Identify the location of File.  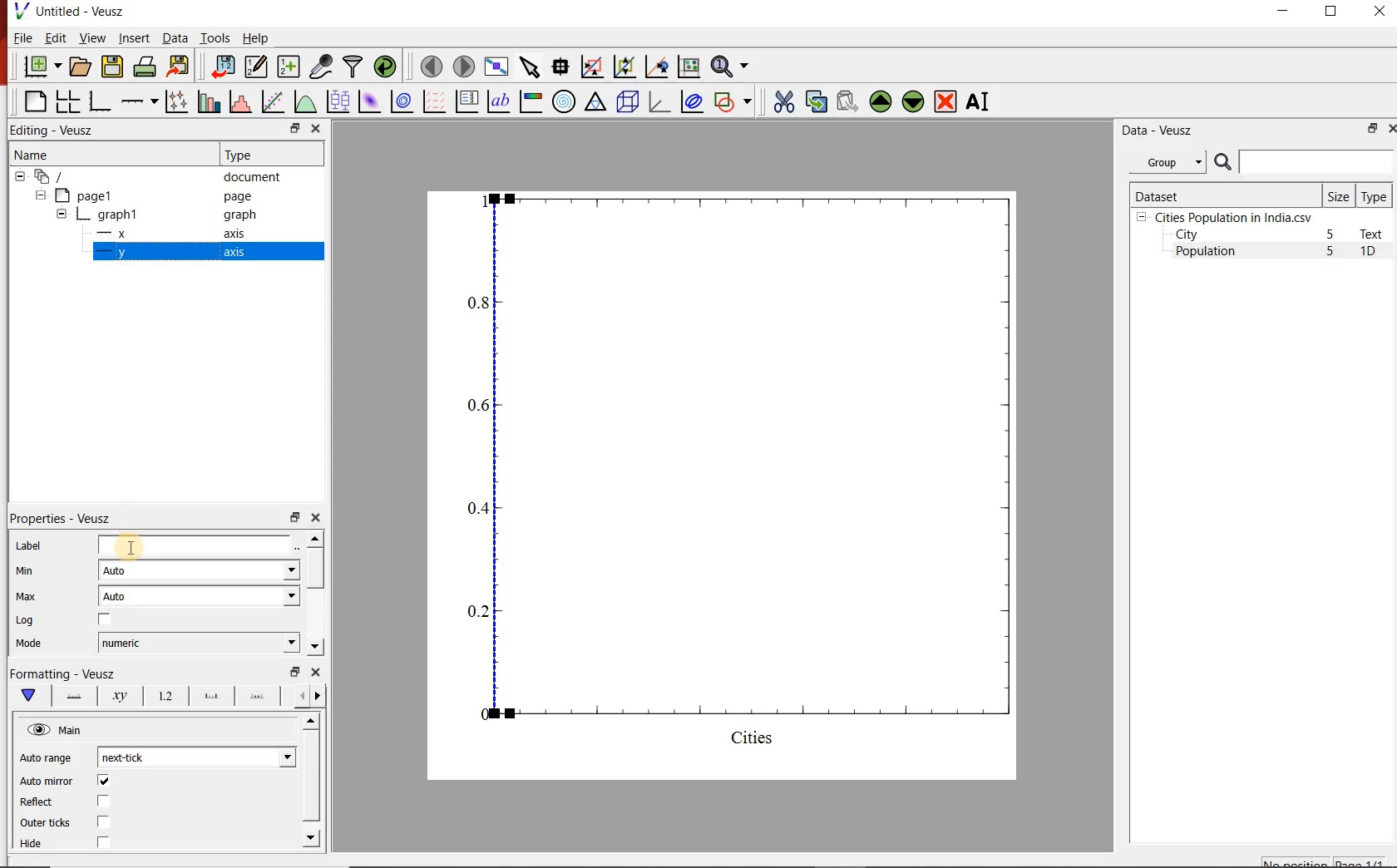
(23, 37).